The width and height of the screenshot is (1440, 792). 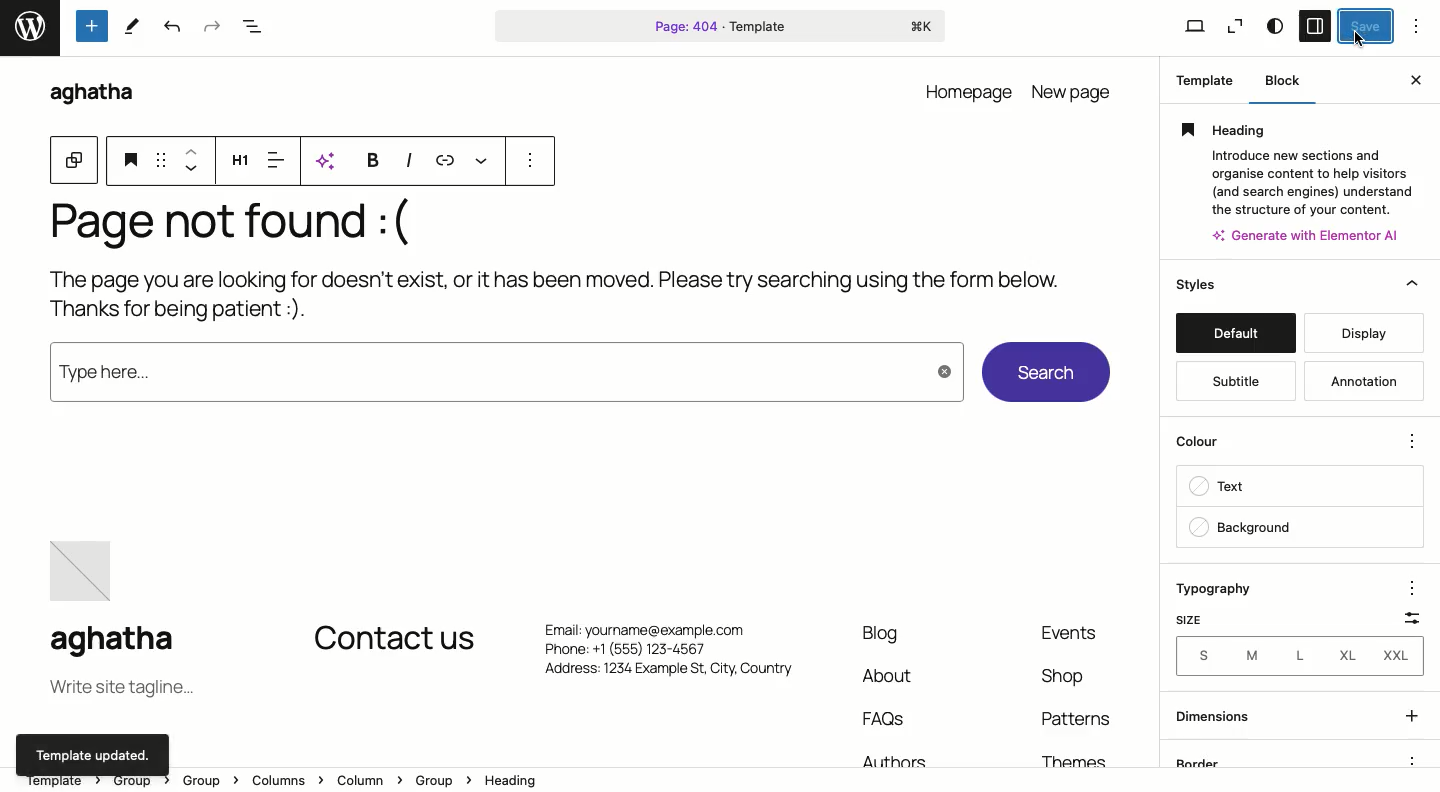 I want to click on tools, so click(x=137, y=25).